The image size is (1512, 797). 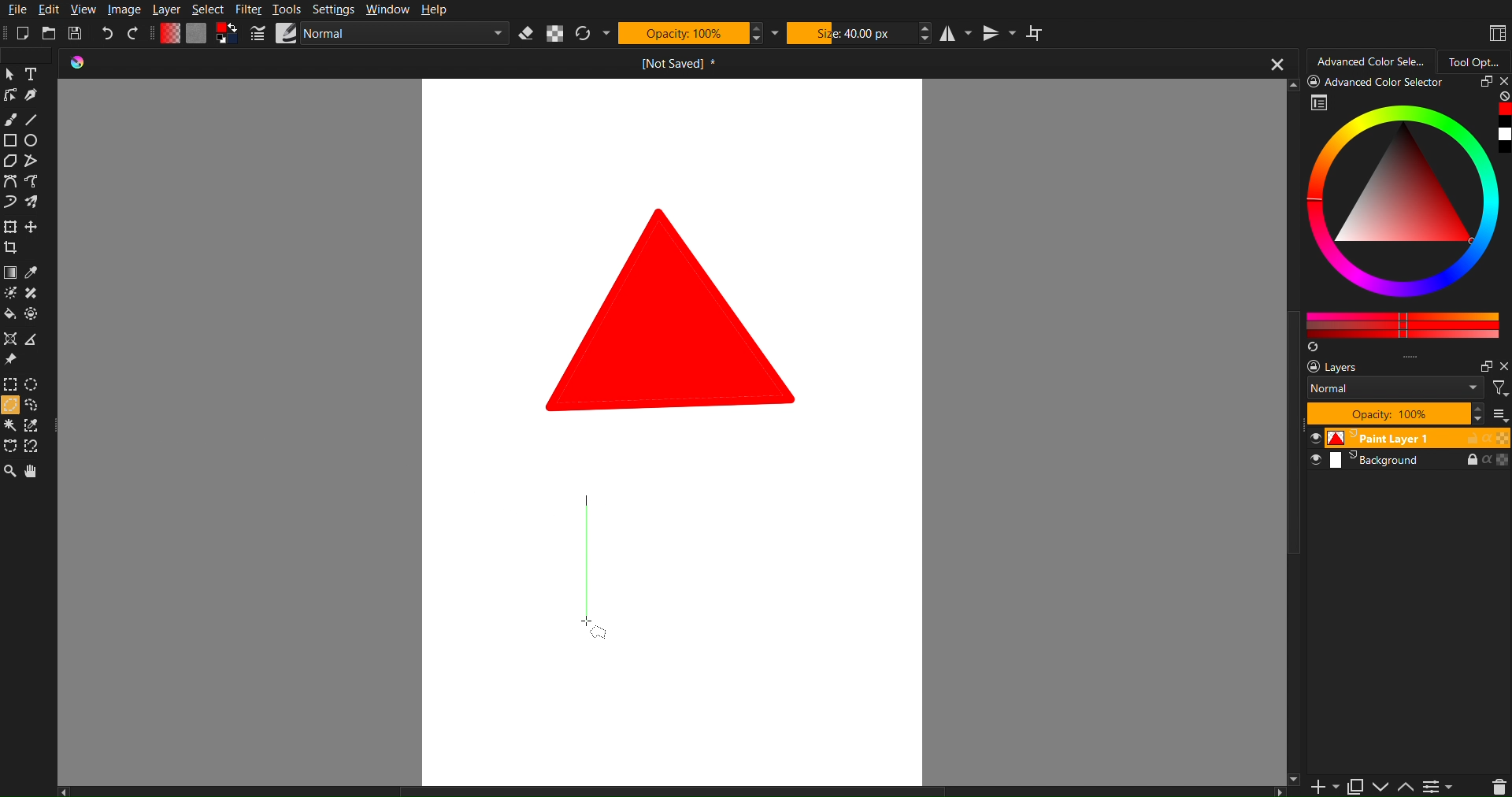 I want to click on Circle, so click(x=33, y=141).